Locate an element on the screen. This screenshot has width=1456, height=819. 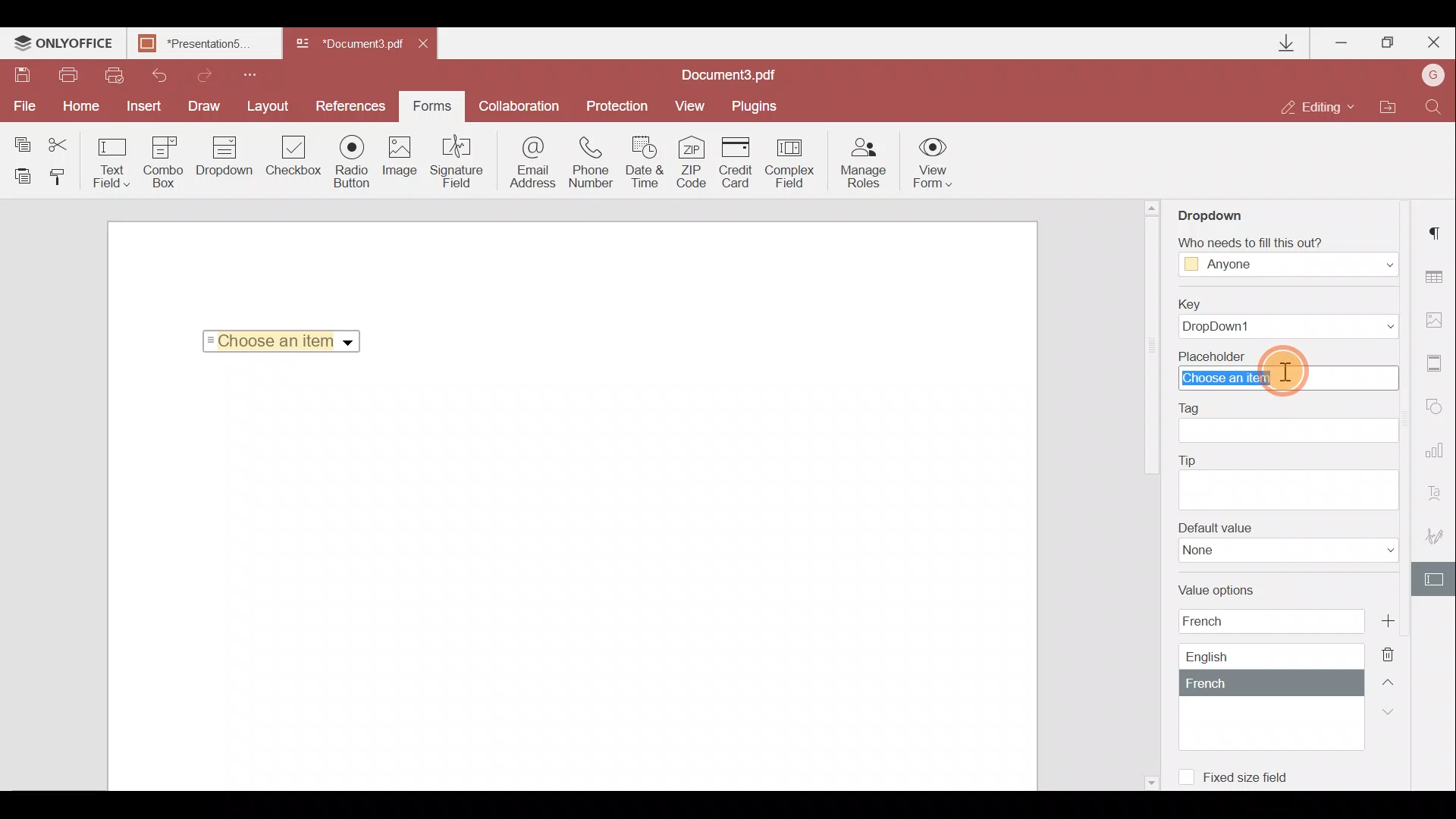
Shapes settings is located at coordinates (1437, 409).